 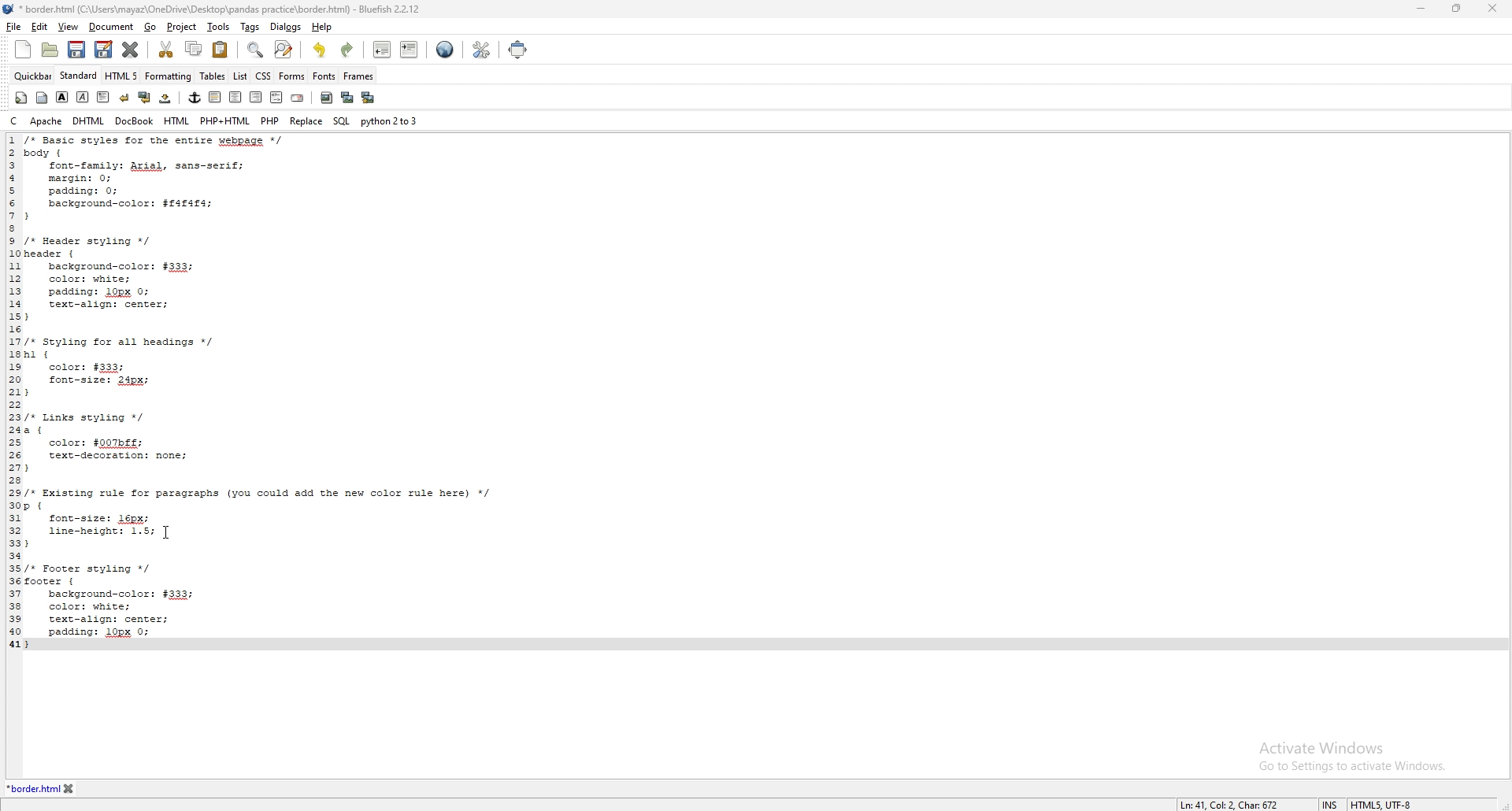 I want to click on multi thumbnail, so click(x=369, y=98).